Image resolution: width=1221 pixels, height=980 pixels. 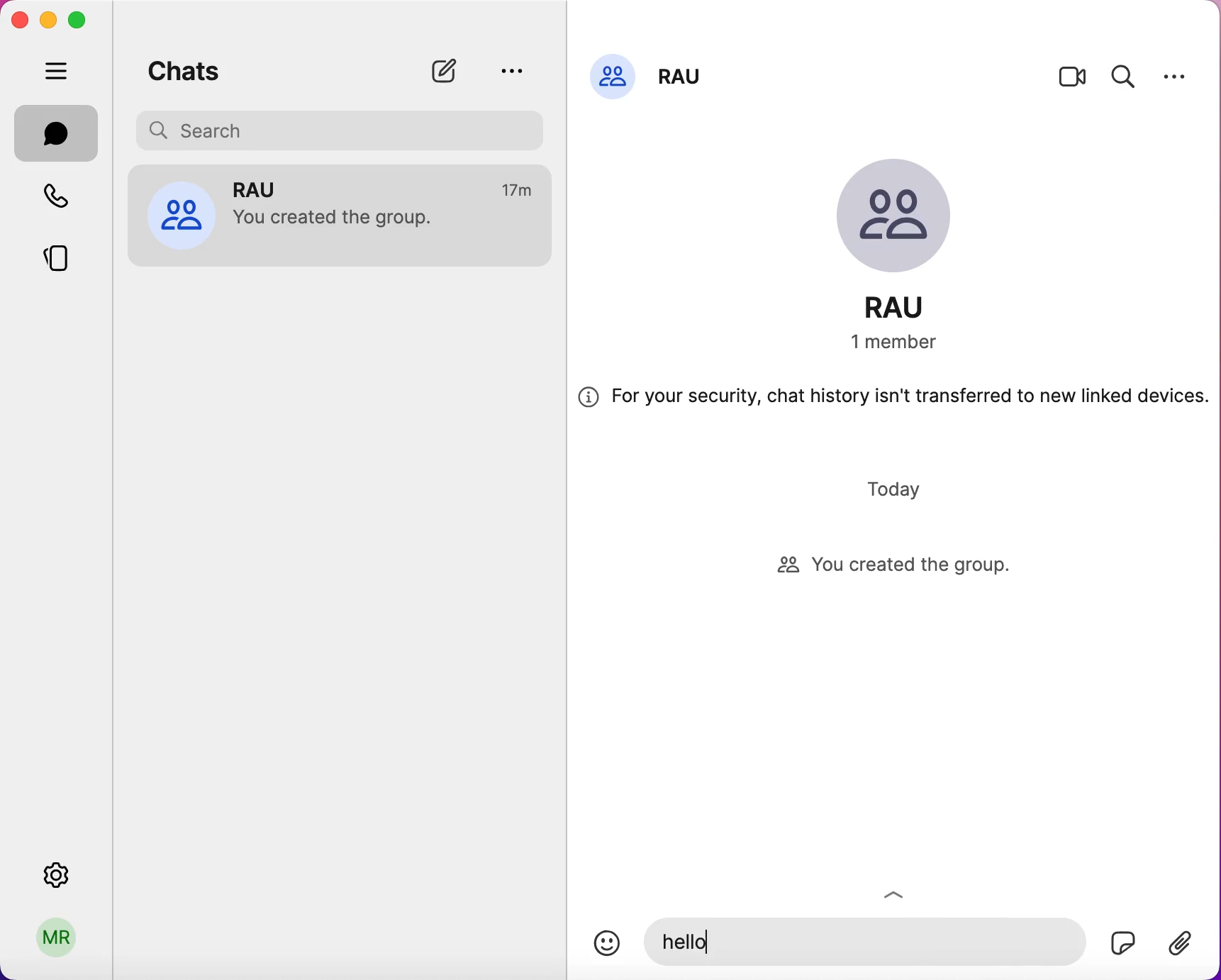 I want to click on profile picture, so click(x=181, y=213).